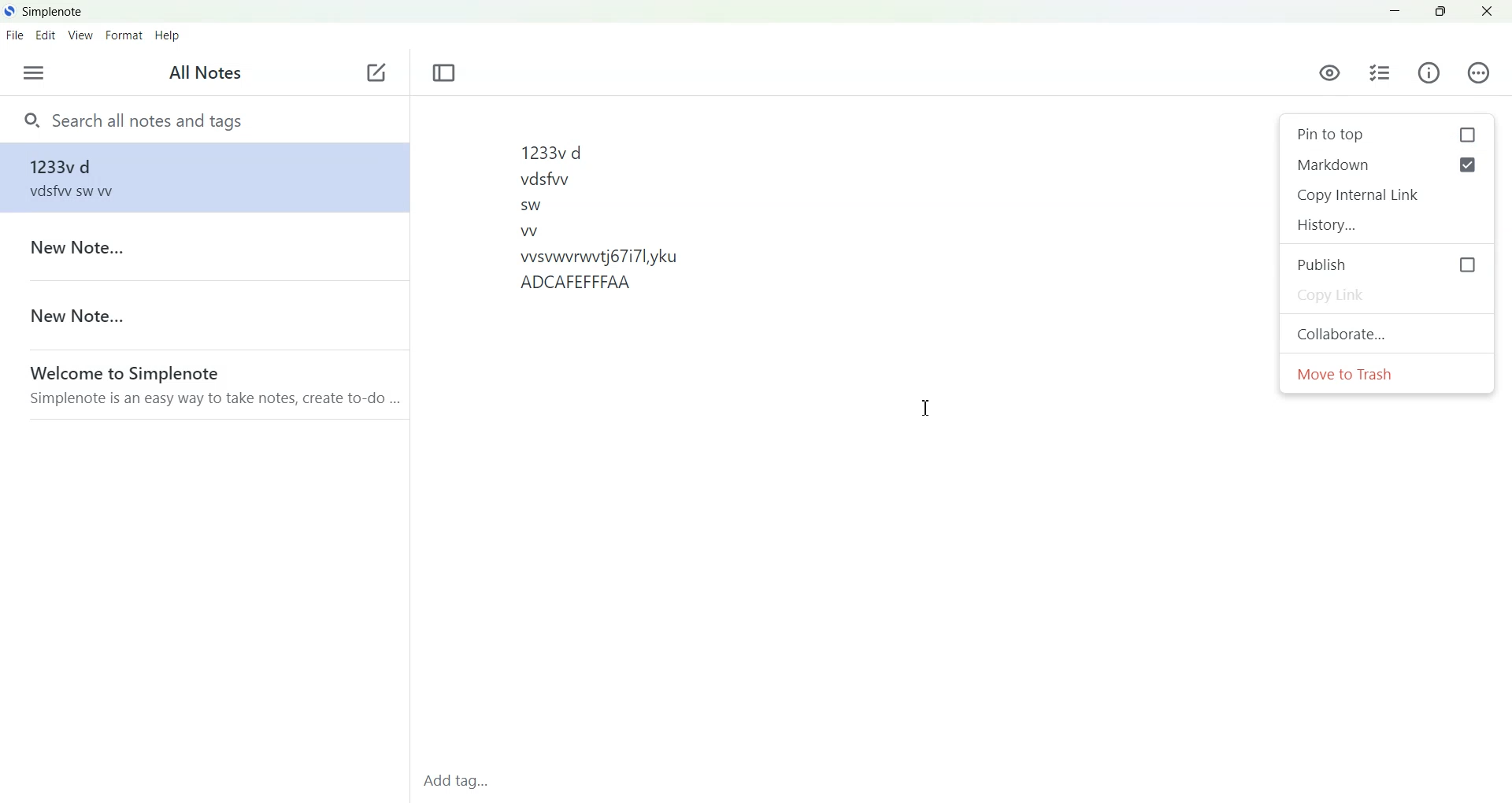  What do you see at coordinates (1387, 224) in the screenshot?
I see `History` at bounding box center [1387, 224].